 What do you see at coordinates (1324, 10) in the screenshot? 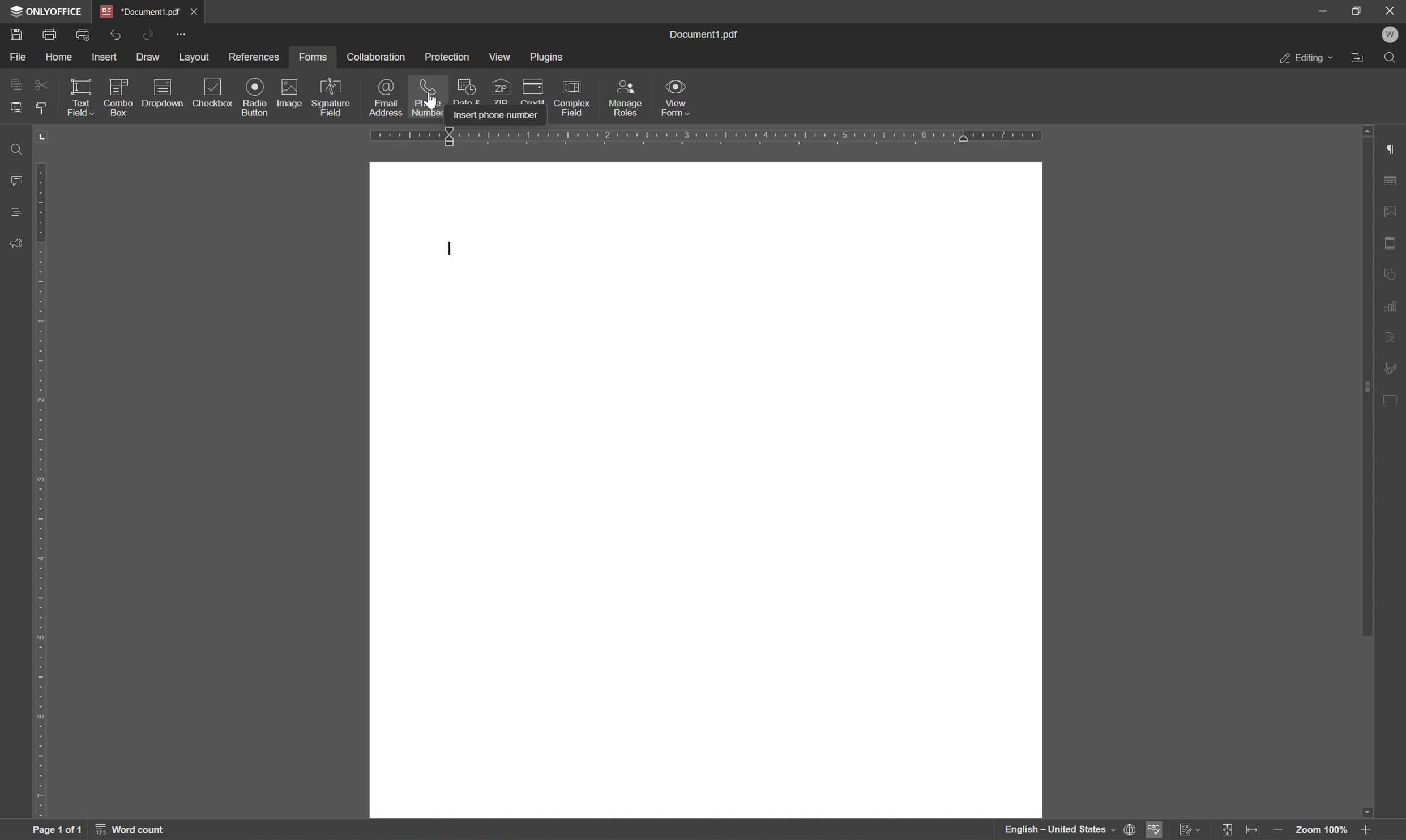
I see `minimize` at bounding box center [1324, 10].